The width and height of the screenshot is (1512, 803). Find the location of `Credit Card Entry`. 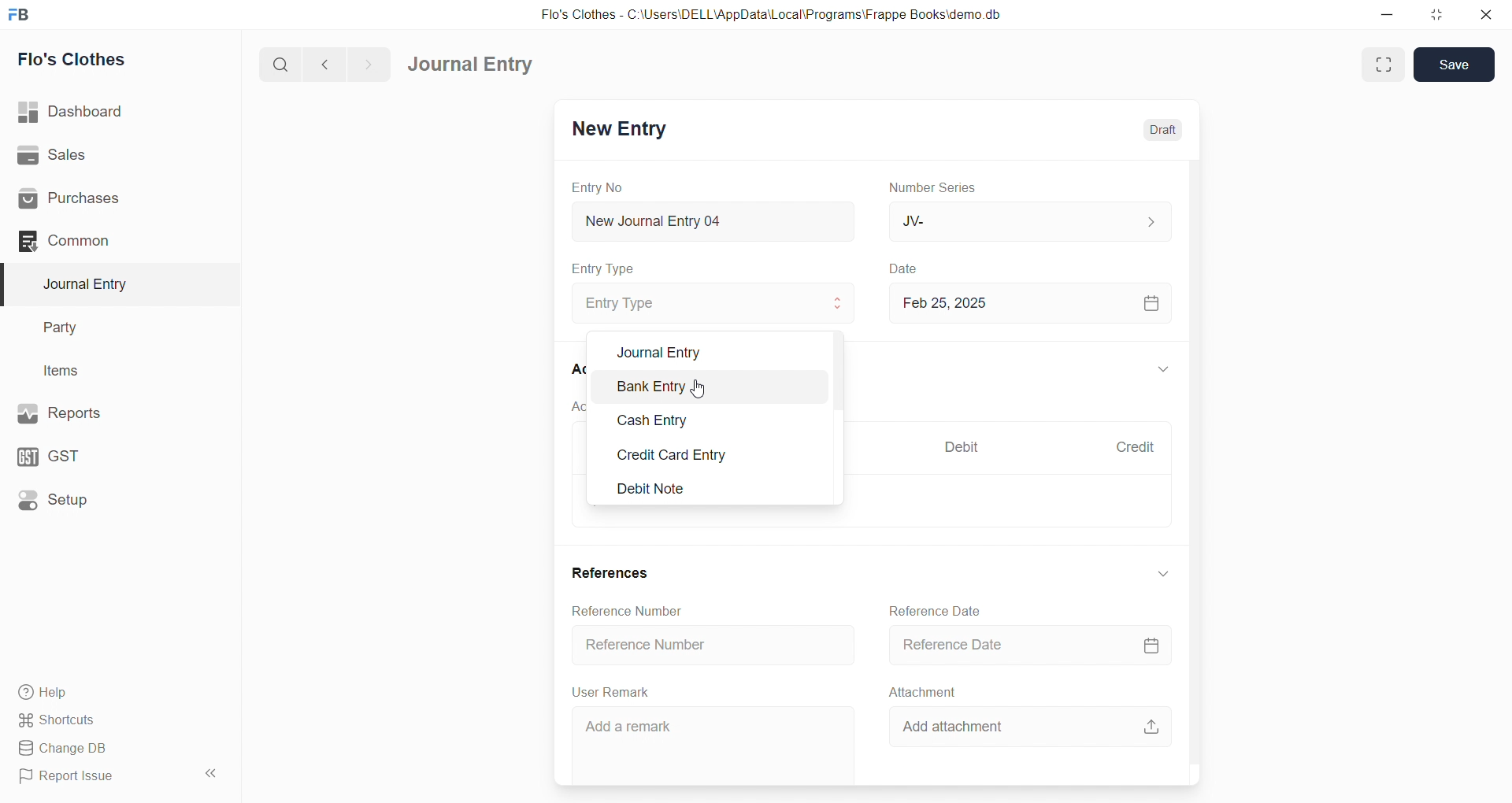

Credit Card Entry is located at coordinates (707, 454).